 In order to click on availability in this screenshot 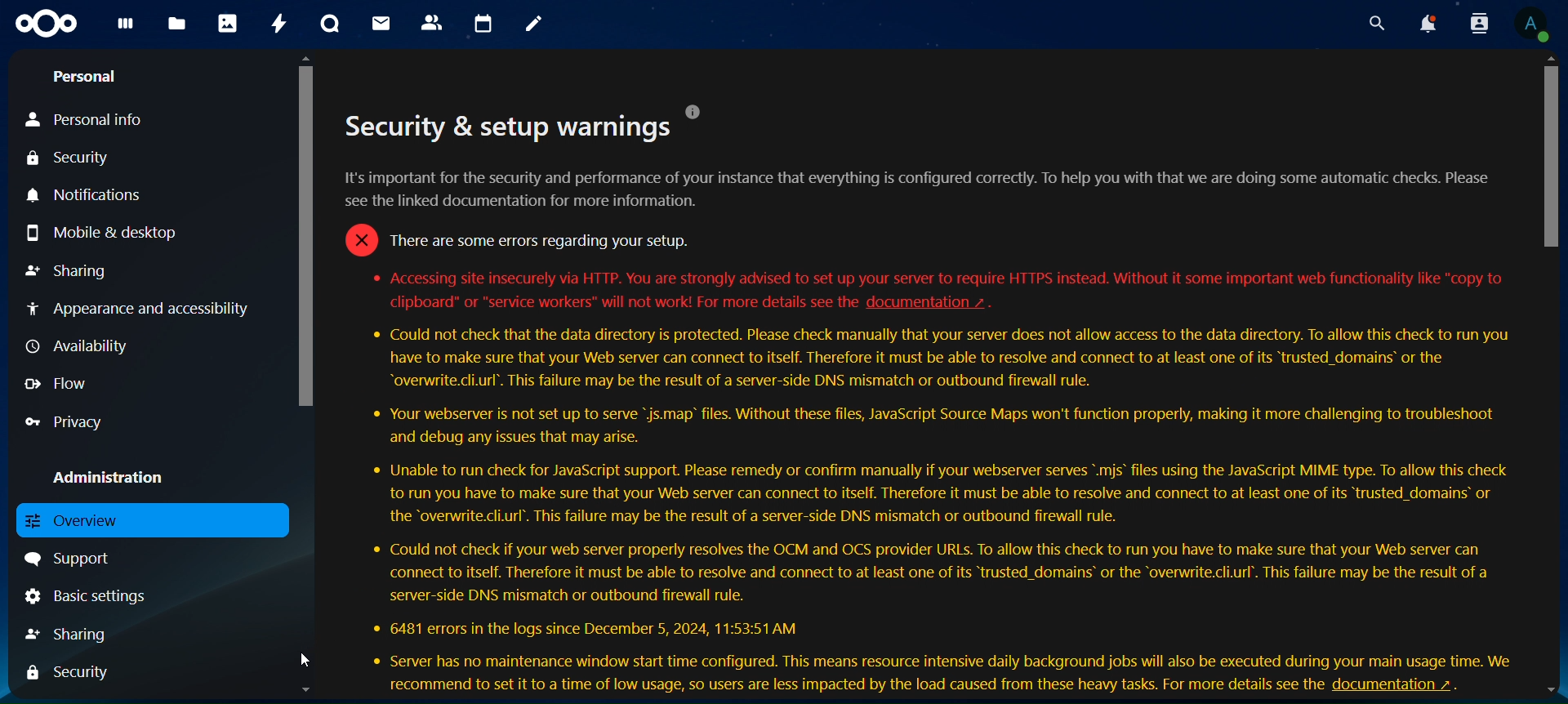, I will do `click(79, 347)`.